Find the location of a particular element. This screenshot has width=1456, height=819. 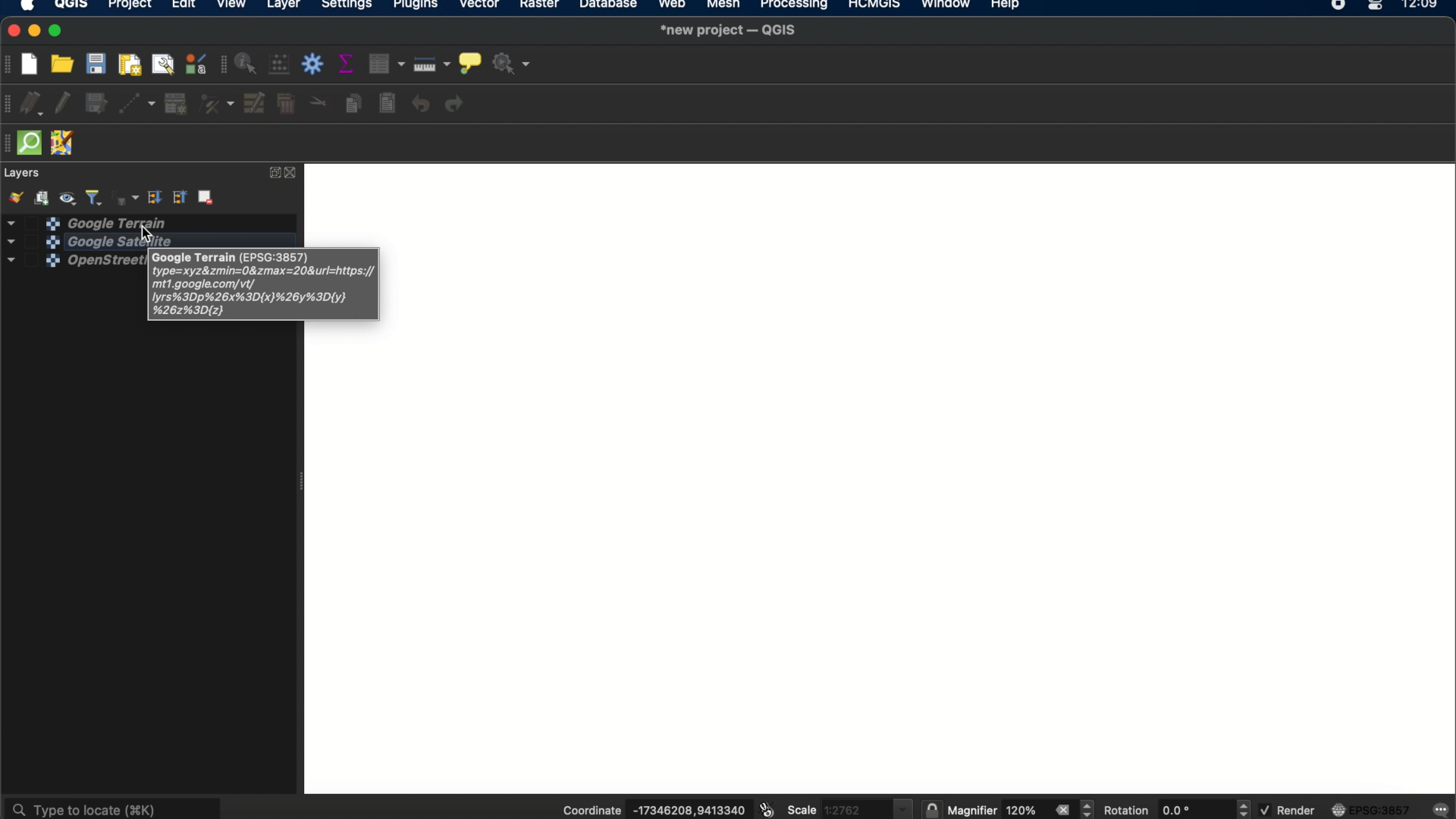

no action selected is located at coordinates (511, 64).